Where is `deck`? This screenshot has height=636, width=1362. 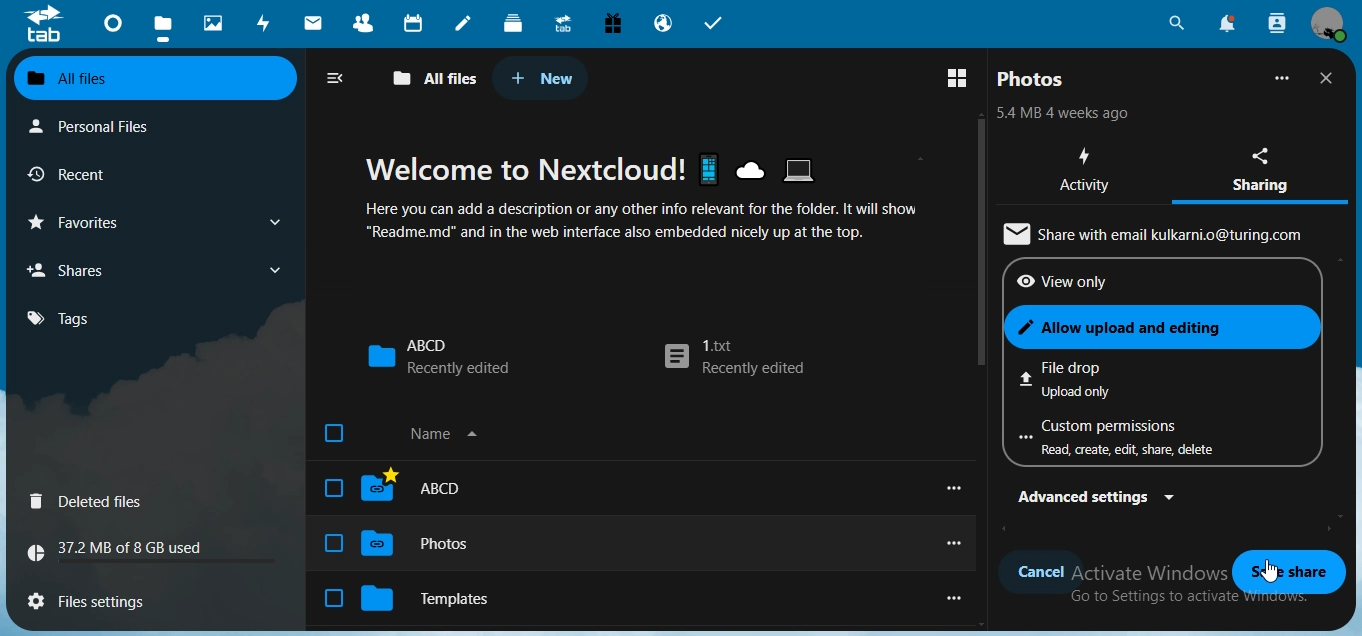
deck is located at coordinates (513, 22).